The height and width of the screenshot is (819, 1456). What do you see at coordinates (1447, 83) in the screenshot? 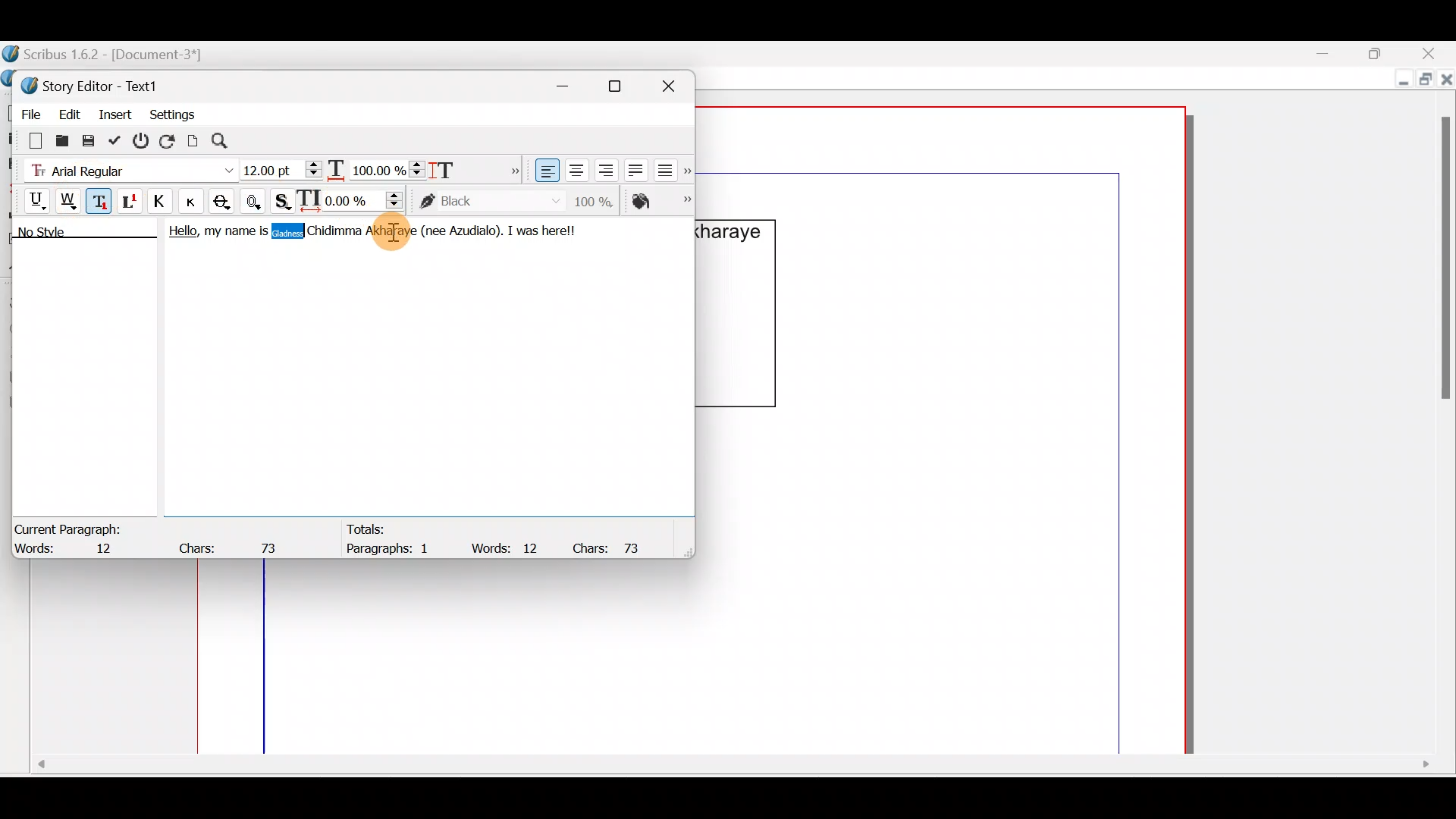
I see `Close` at bounding box center [1447, 83].